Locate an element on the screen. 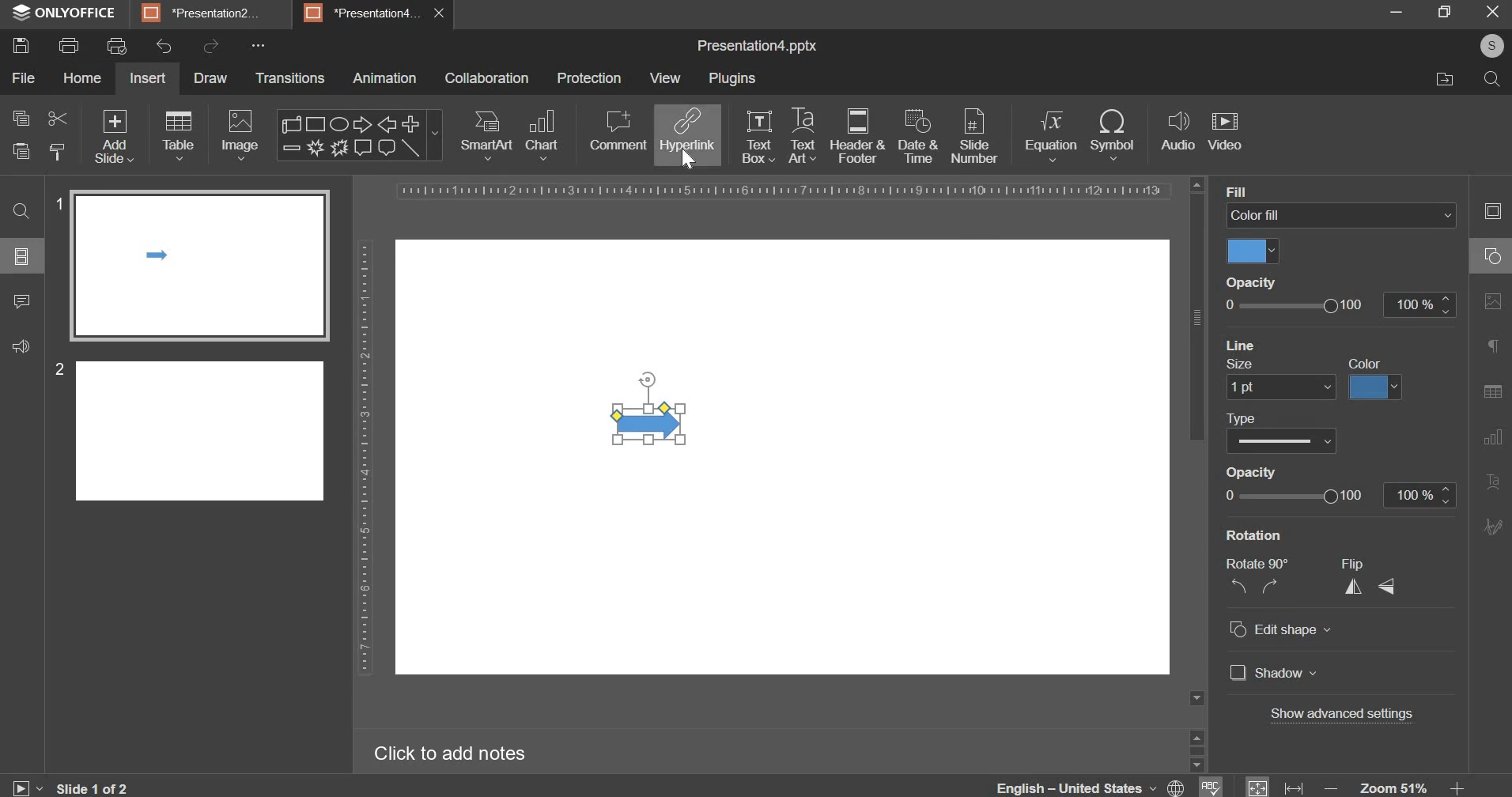 The image size is (1512, 797). video is located at coordinates (1225, 130).